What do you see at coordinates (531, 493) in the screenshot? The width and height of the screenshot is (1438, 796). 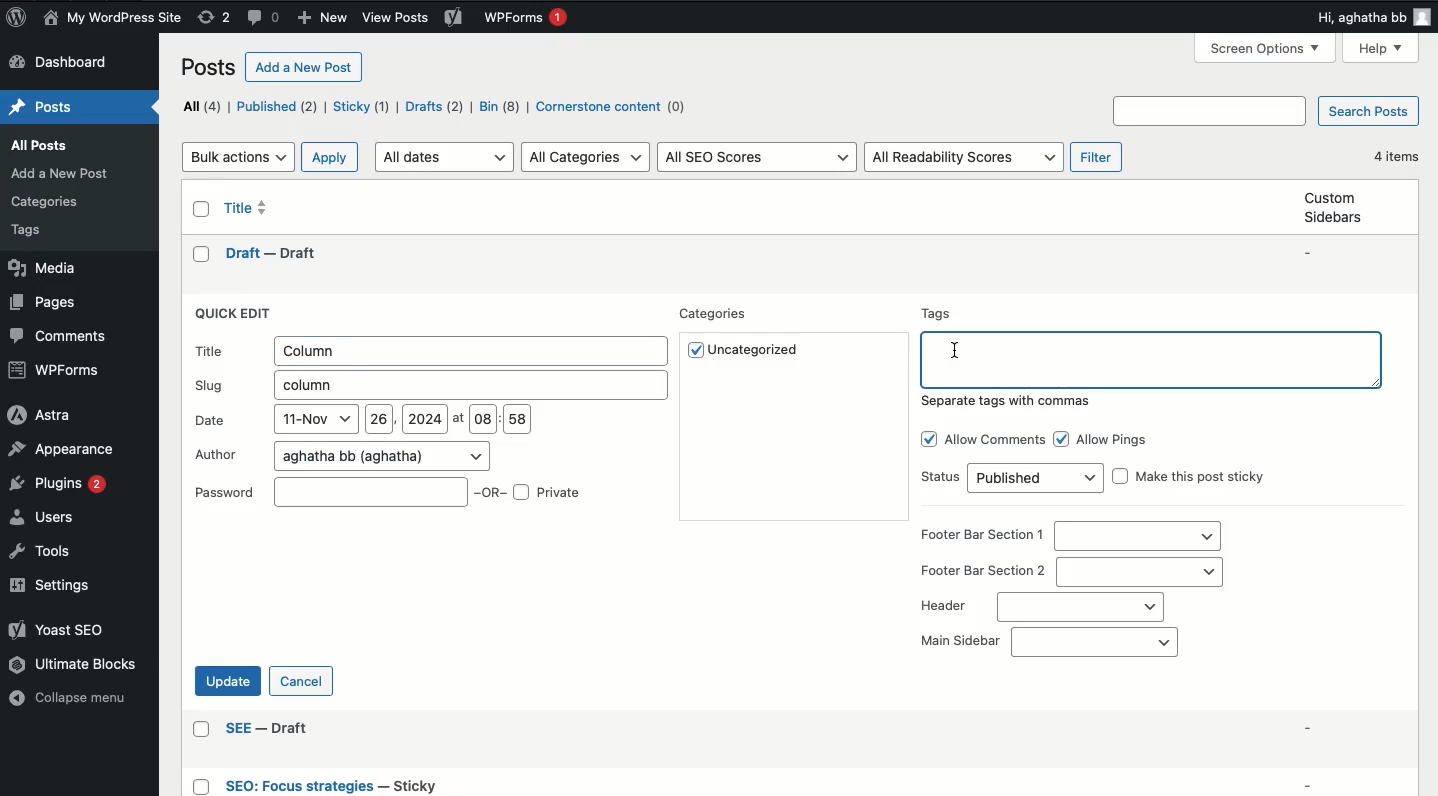 I see `OR Private` at bounding box center [531, 493].